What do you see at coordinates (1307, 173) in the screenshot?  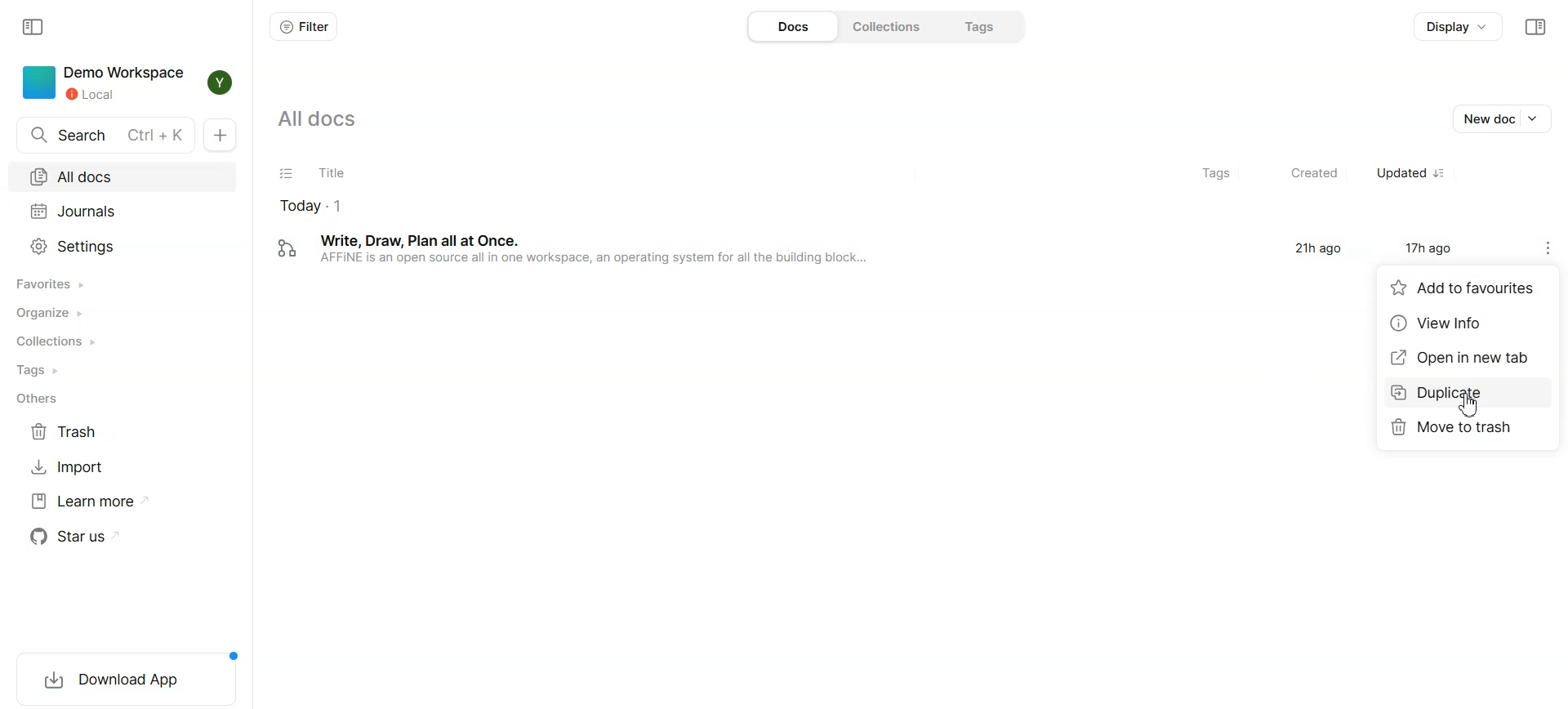 I see `Created` at bounding box center [1307, 173].